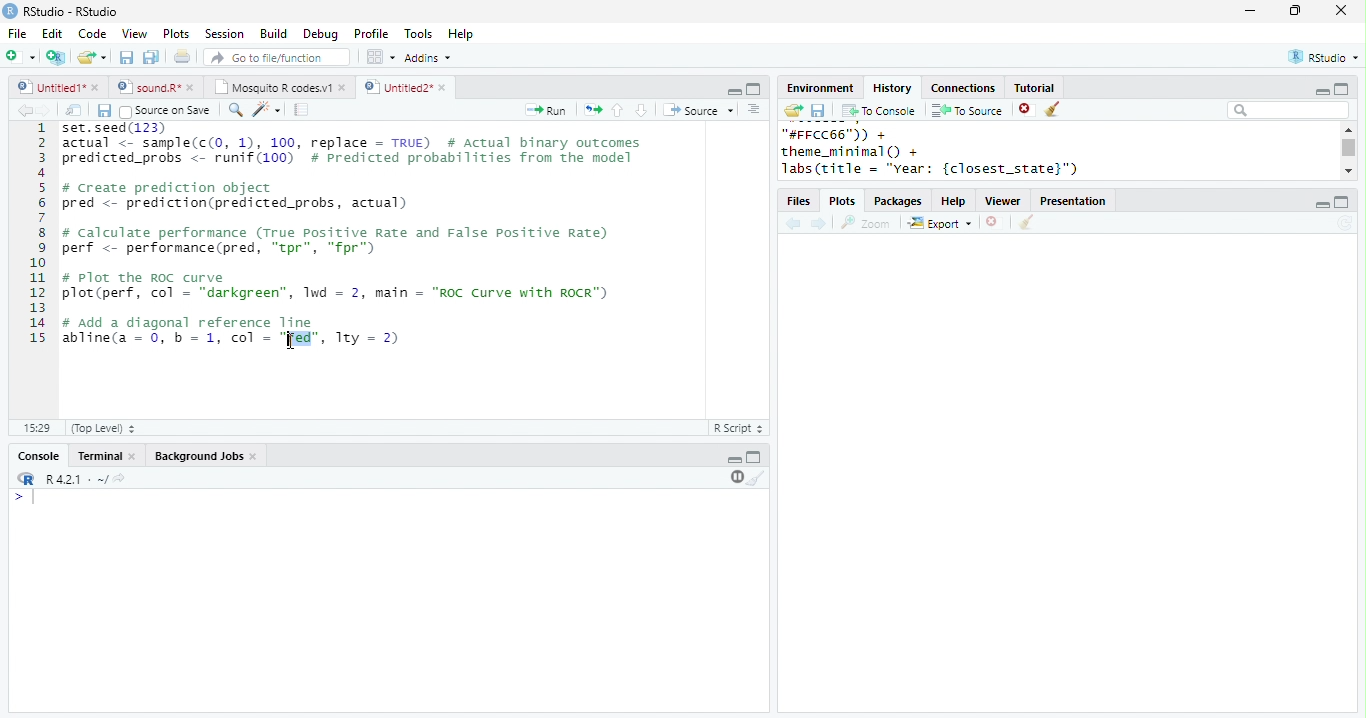 The image size is (1366, 718). What do you see at coordinates (163, 111) in the screenshot?
I see `Source on Save` at bounding box center [163, 111].